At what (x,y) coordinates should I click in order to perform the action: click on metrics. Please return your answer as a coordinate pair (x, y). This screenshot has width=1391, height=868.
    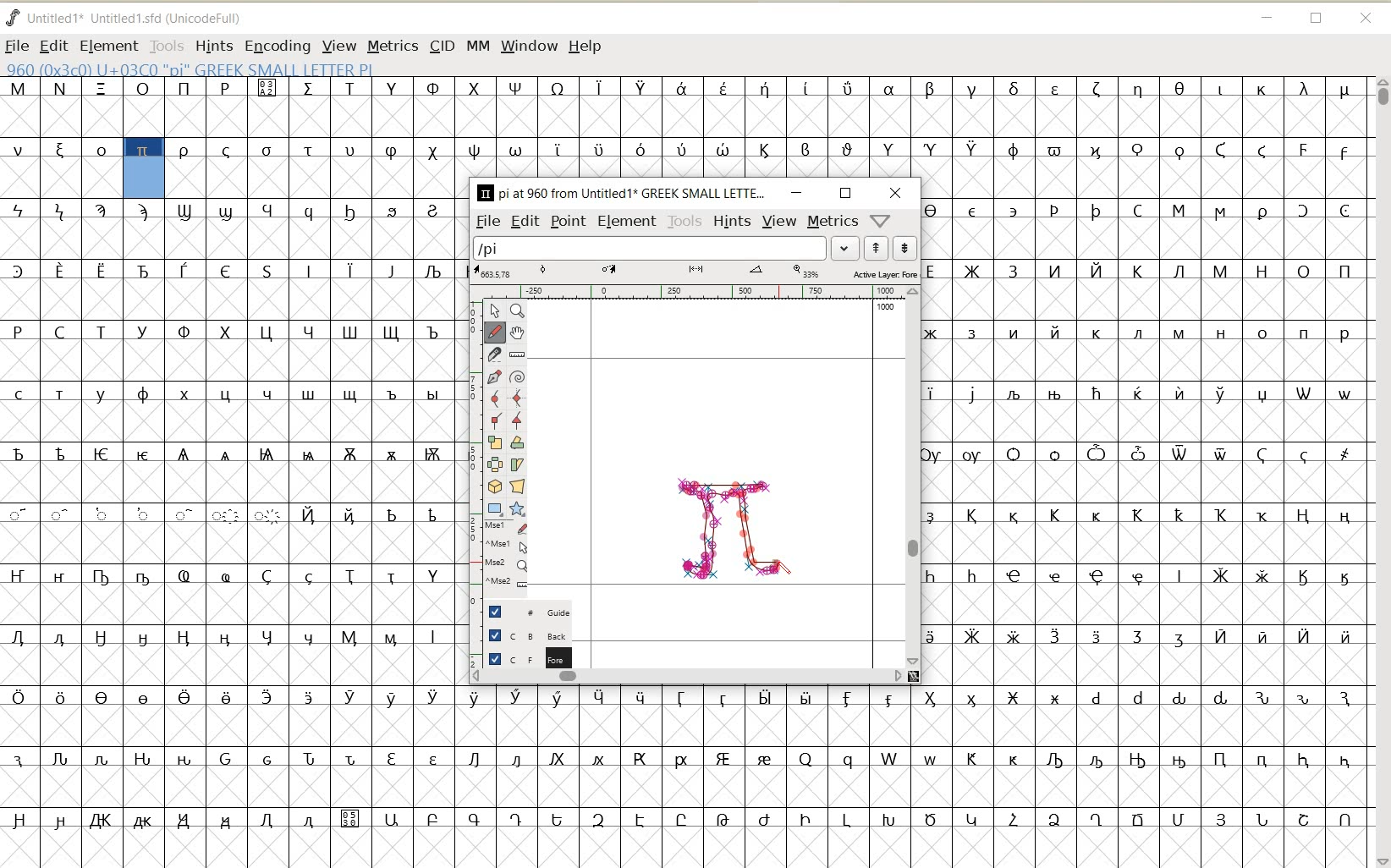
    Looking at the image, I should click on (833, 222).